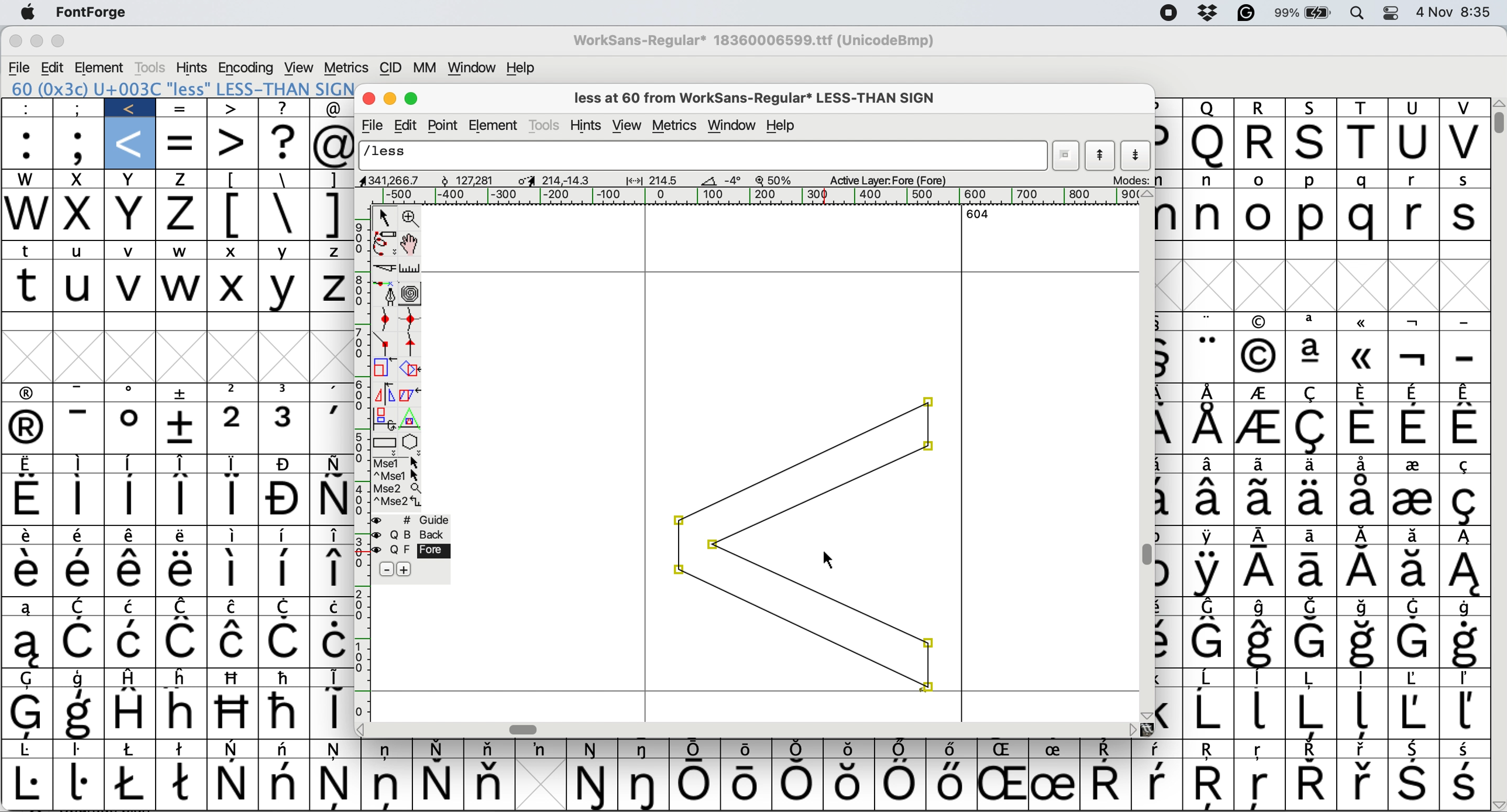  What do you see at coordinates (414, 217) in the screenshot?
I see `zoom` at bounding box center [414, 217].